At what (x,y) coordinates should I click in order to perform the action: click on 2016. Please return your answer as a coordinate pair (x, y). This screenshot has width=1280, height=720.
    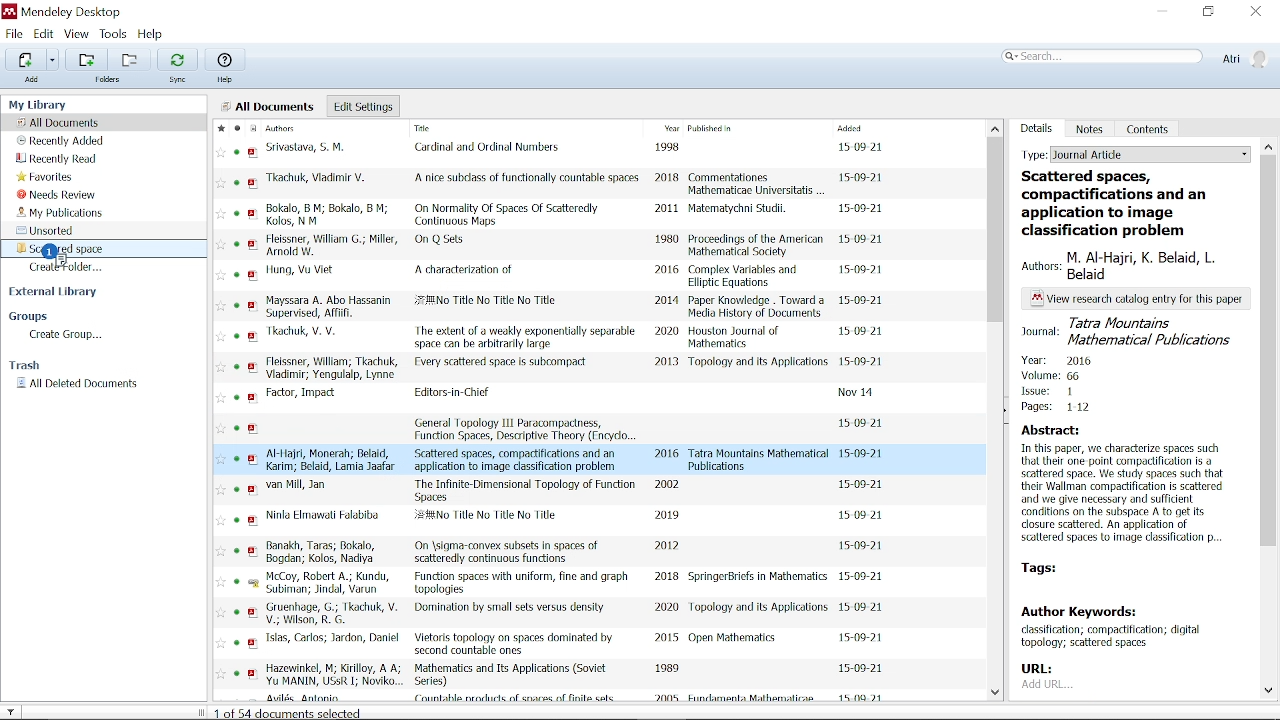
    Looking at the image, I should click on (667, 271).